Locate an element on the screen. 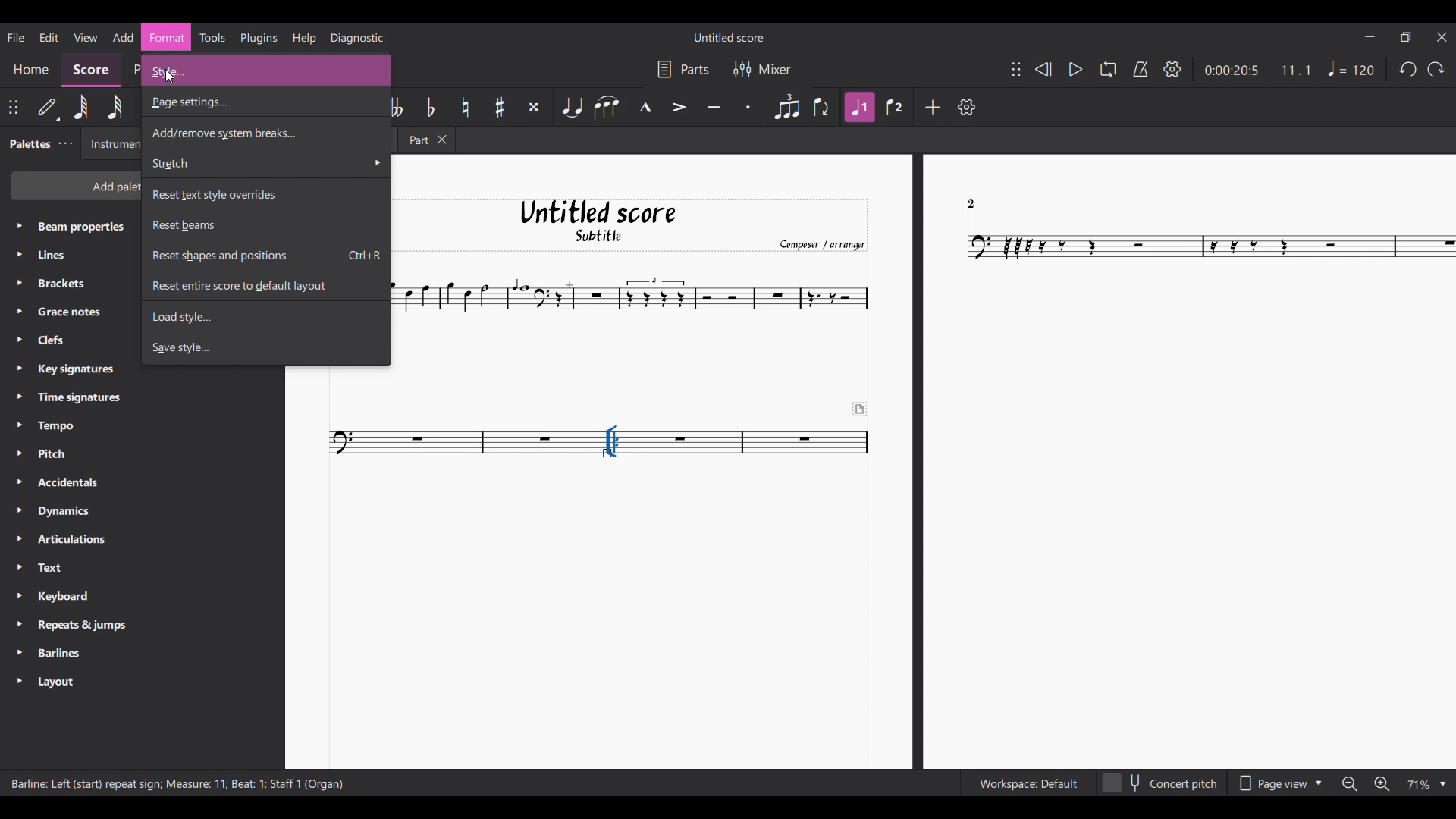  Default is located at coordinates (49, 108).